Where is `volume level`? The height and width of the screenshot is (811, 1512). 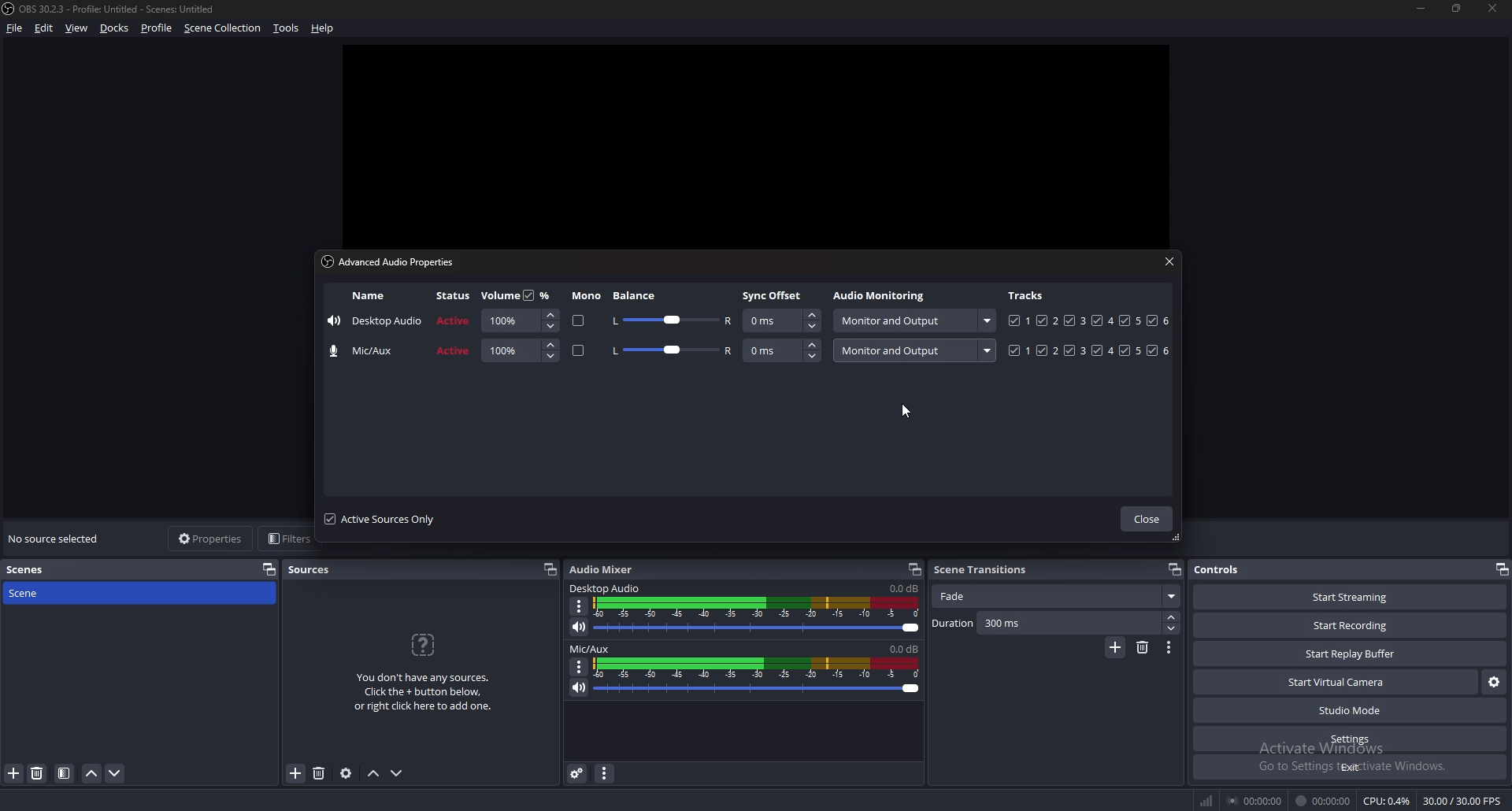 volume level is located at coordinates (905, 648).